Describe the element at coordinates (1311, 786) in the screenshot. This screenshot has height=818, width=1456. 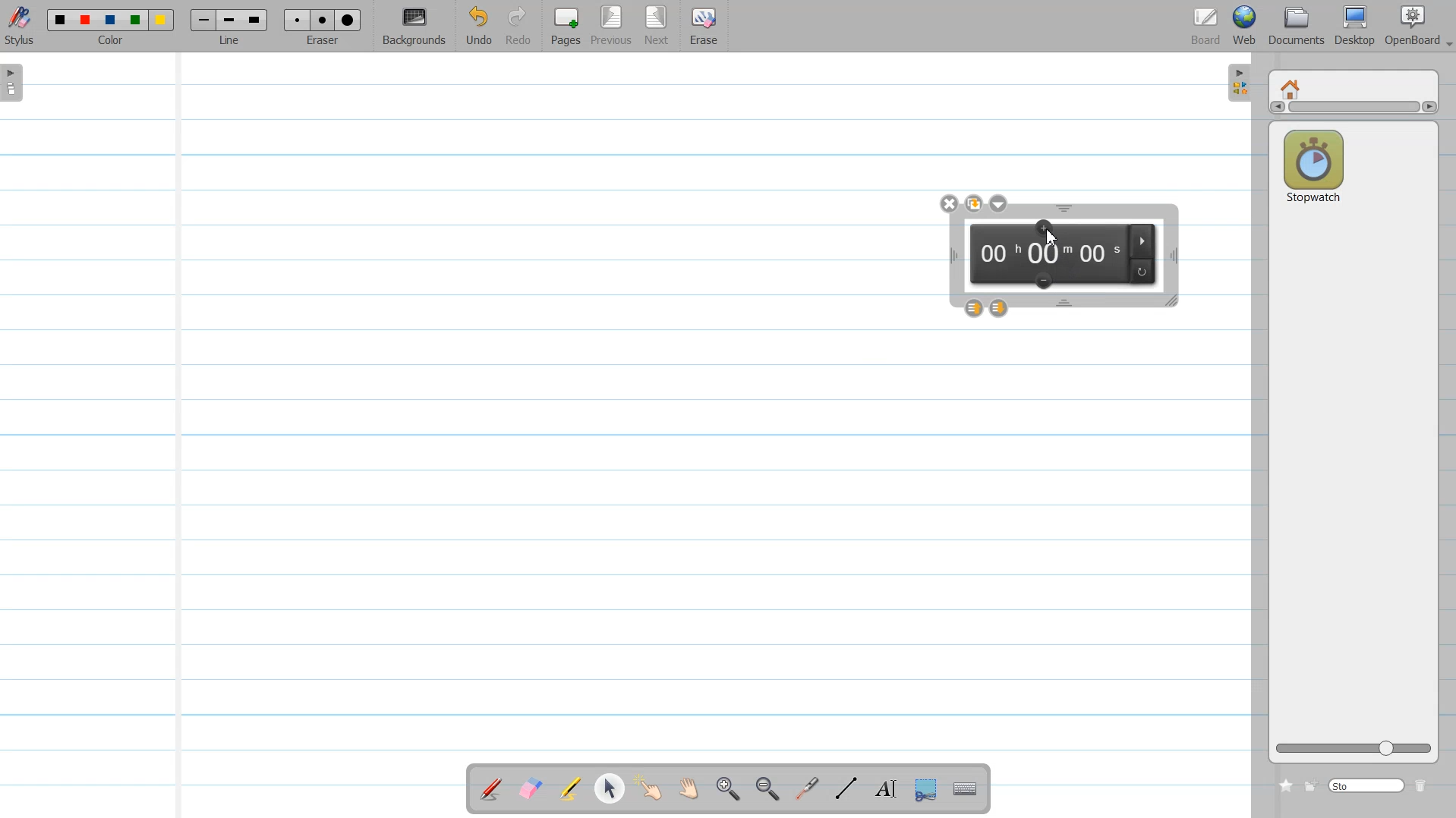
I see `Create new folder` at that location.